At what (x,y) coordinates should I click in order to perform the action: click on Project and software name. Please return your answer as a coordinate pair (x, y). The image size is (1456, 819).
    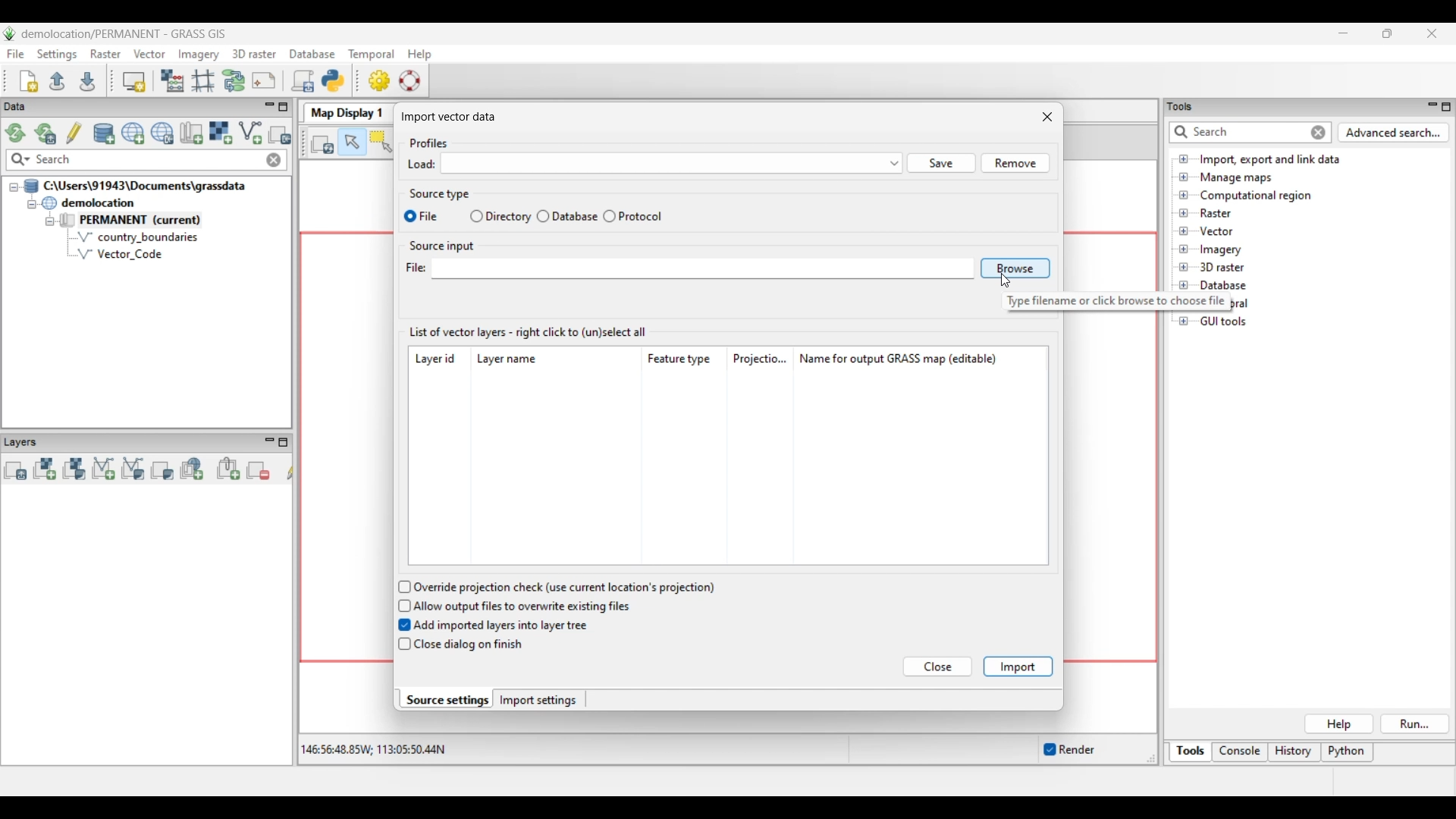
    Looking at the image, I should click on (124, 34).